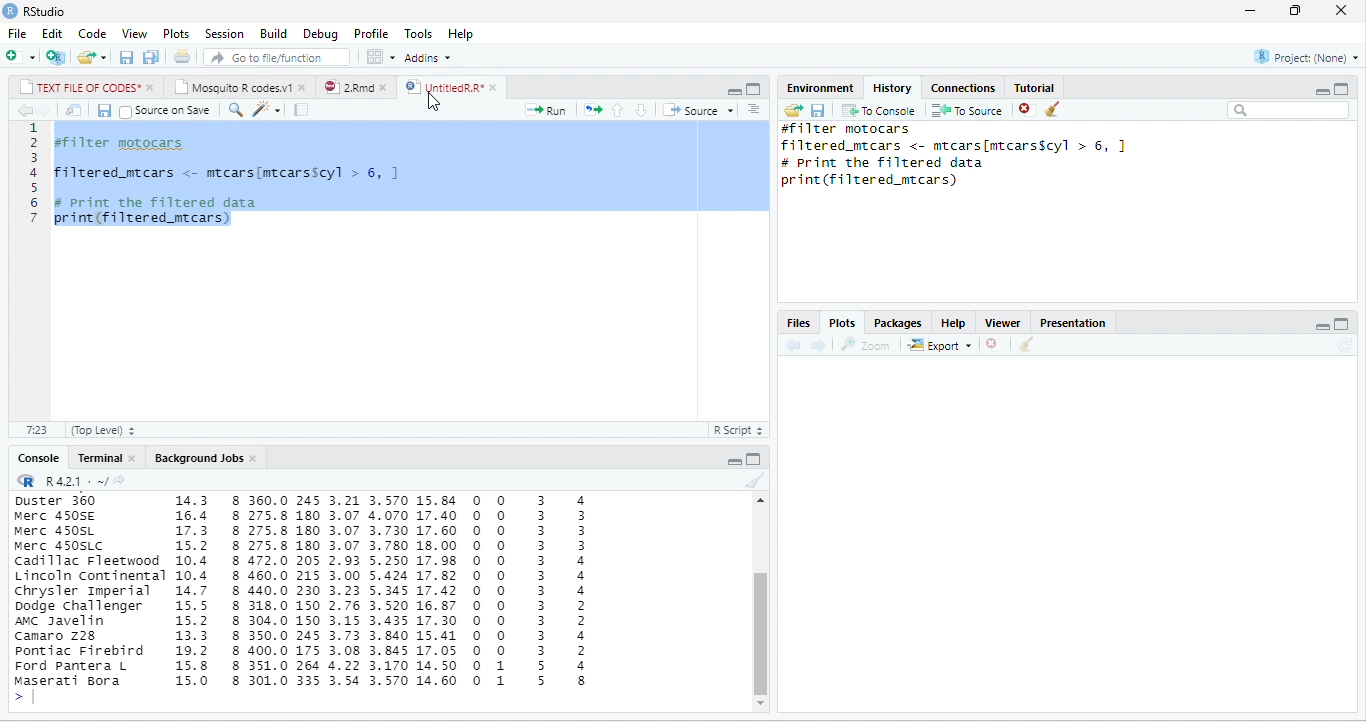 Image resolution: width=1366 pixels, height=722 pixels. Describe the element at coordinates (235, 110) in the screenshot. I see `search` at that location.